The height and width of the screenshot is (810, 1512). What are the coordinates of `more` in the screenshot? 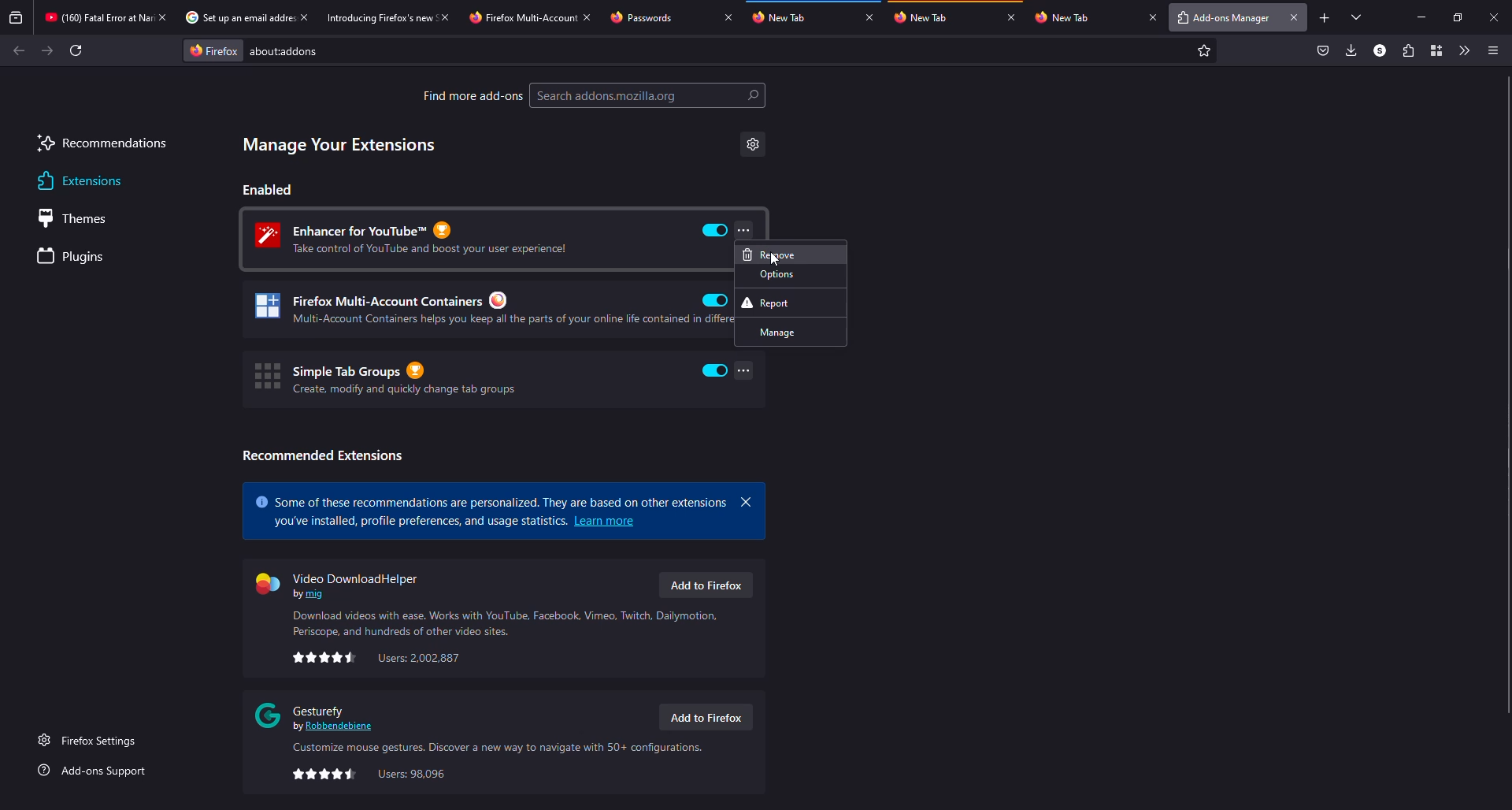 It's located at (745, 370).